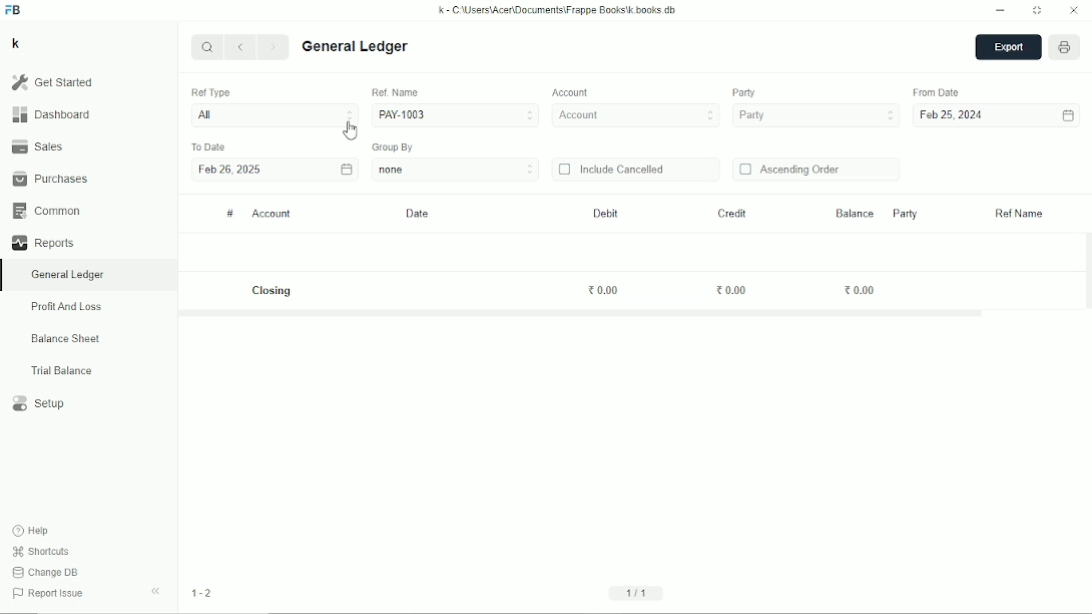  What do you see at coordinates (1074, 11) in the screenshot?
I see `Close` at bounding box center [1074, 11].